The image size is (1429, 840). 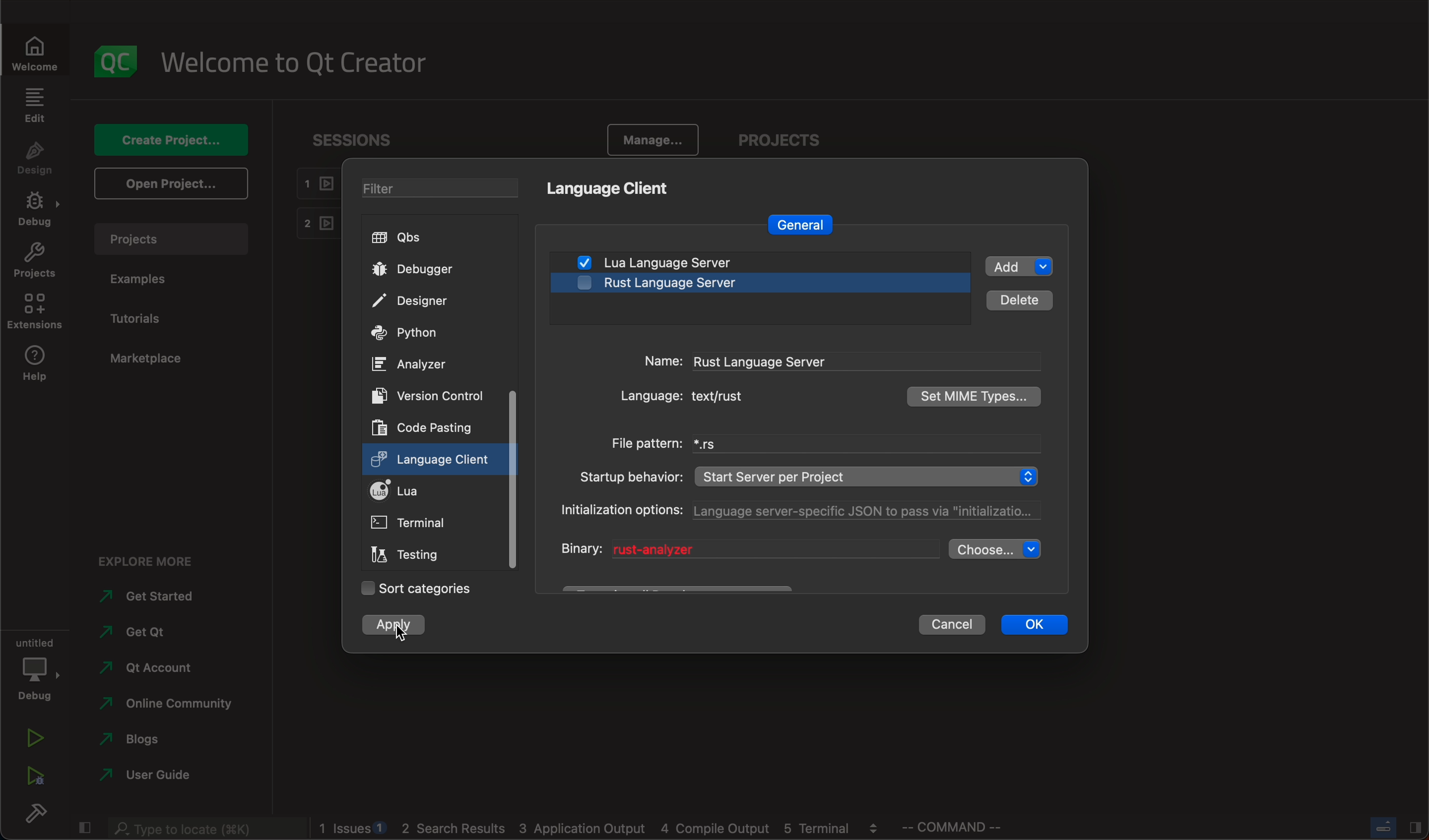 I want to click on types, so click(x=976, y=396).